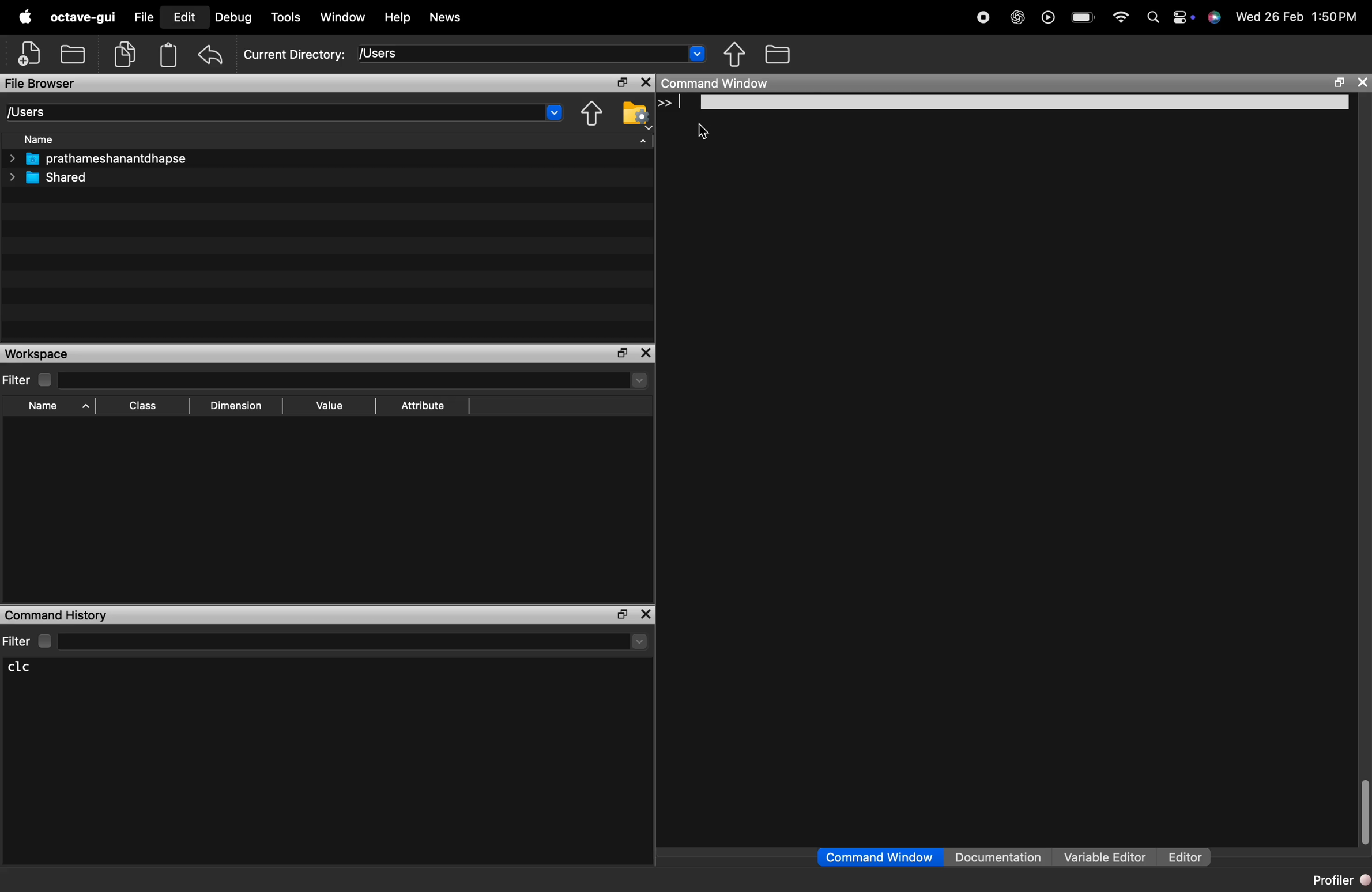 Image resolution: width=1372 pixels, height=892 pixels. Describe the element at coordinates (29, 667) in the screenshot. I see `clc` at that location.